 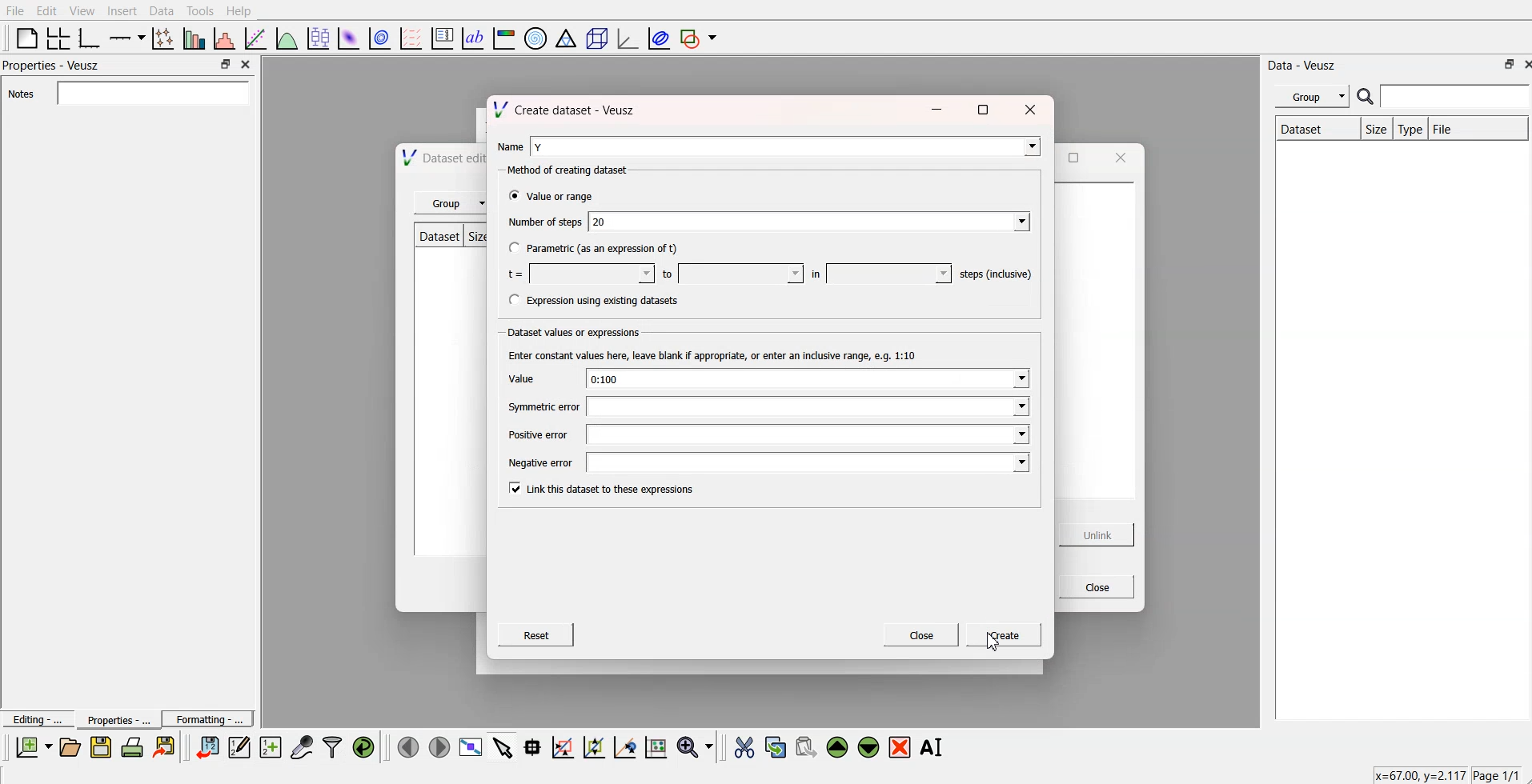 I want to click on Formatting, so click(x=208, y=717).